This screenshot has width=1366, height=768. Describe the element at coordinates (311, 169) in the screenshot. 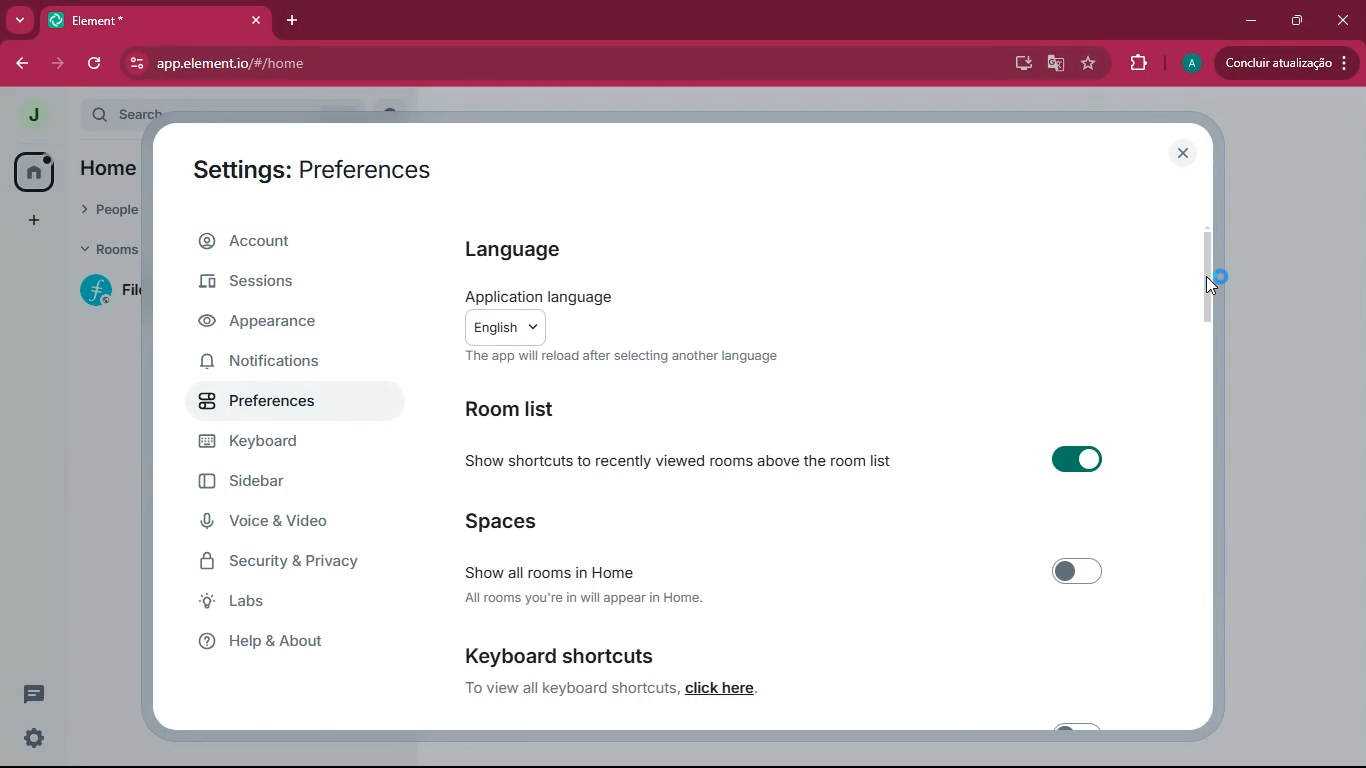

I see `Settings : Preferences` at that location.